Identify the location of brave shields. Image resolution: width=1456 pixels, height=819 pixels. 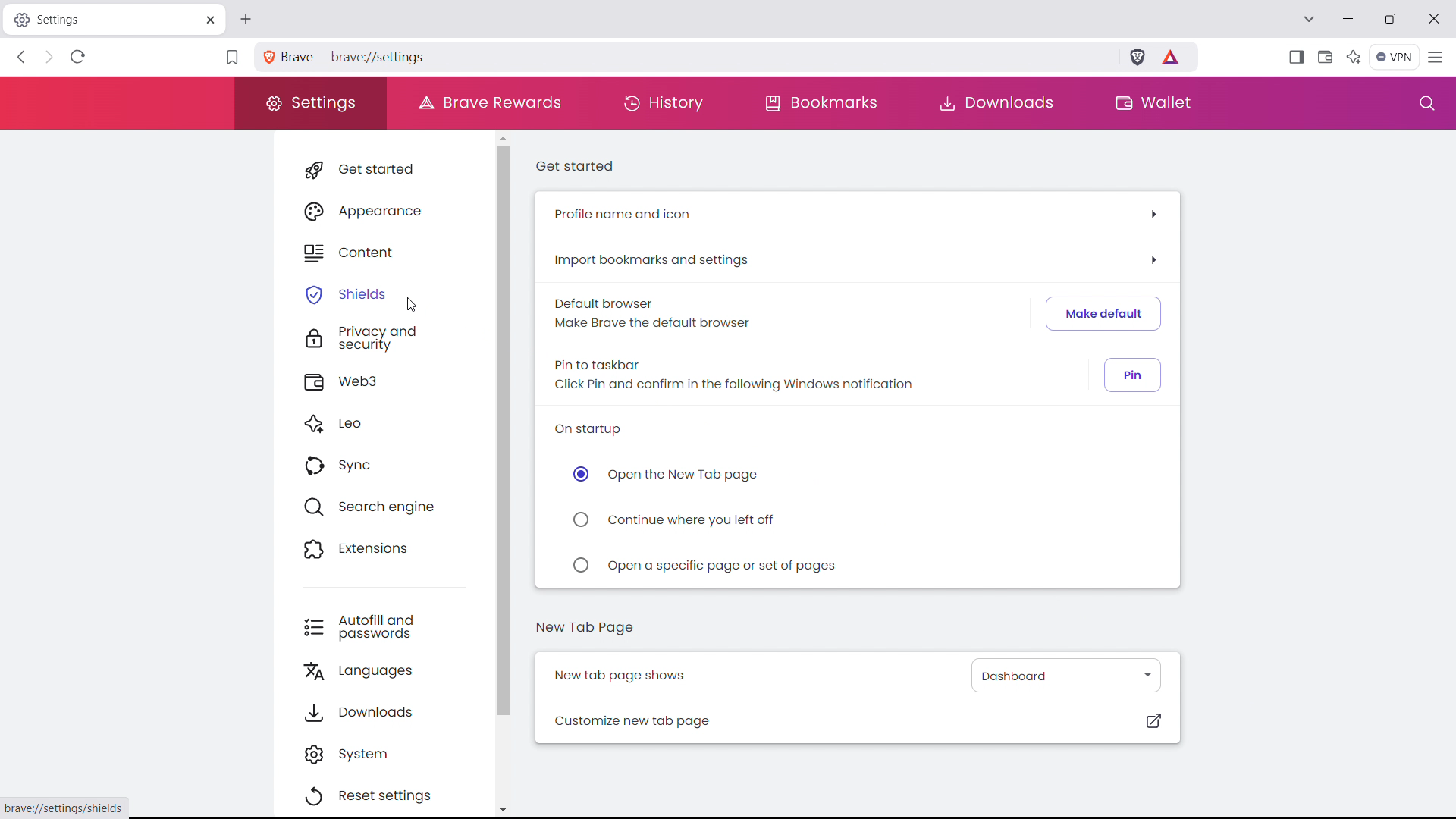
(1137, 56).